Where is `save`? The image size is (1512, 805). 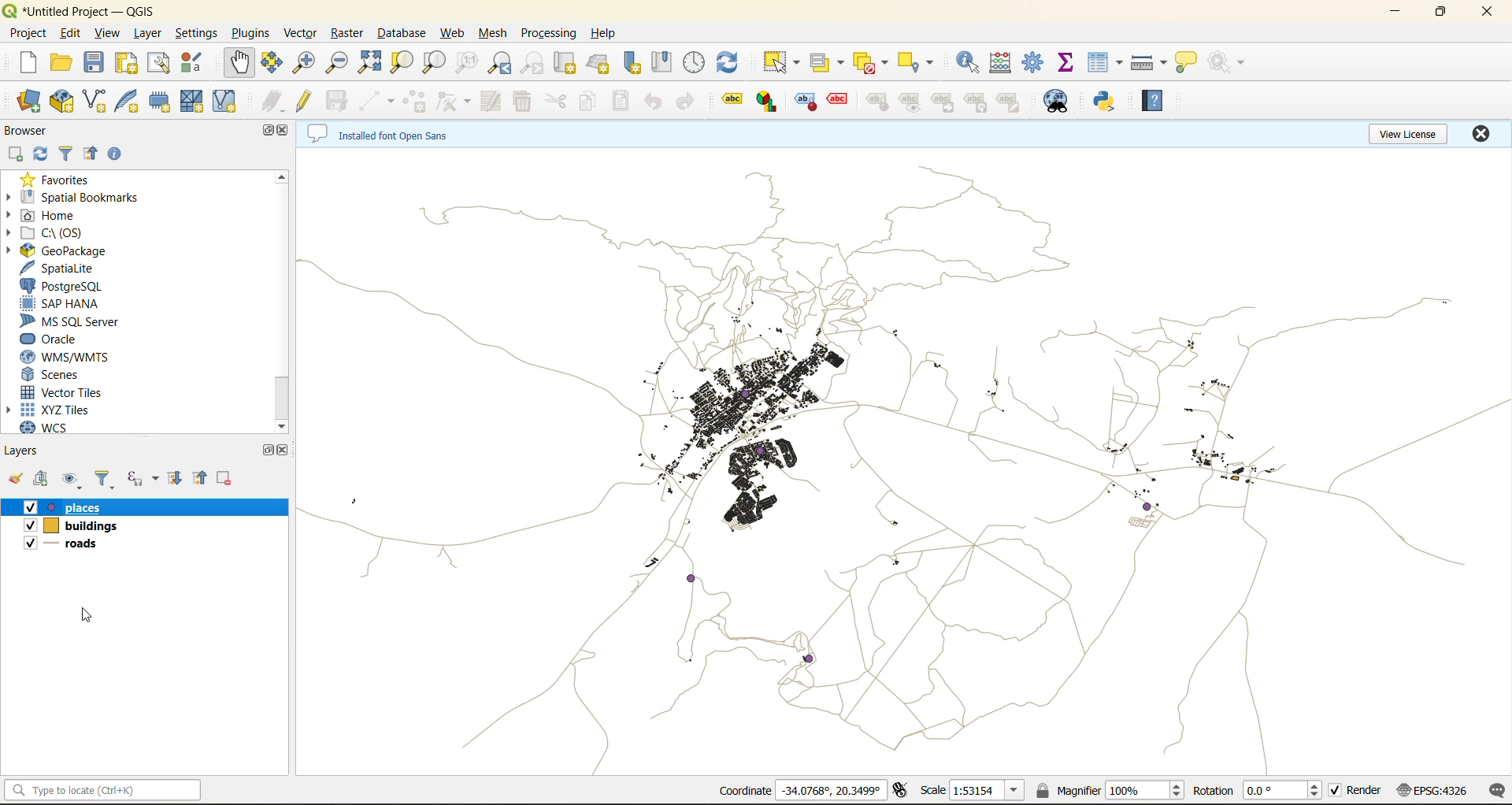 save is located at coordinates (98, 63).